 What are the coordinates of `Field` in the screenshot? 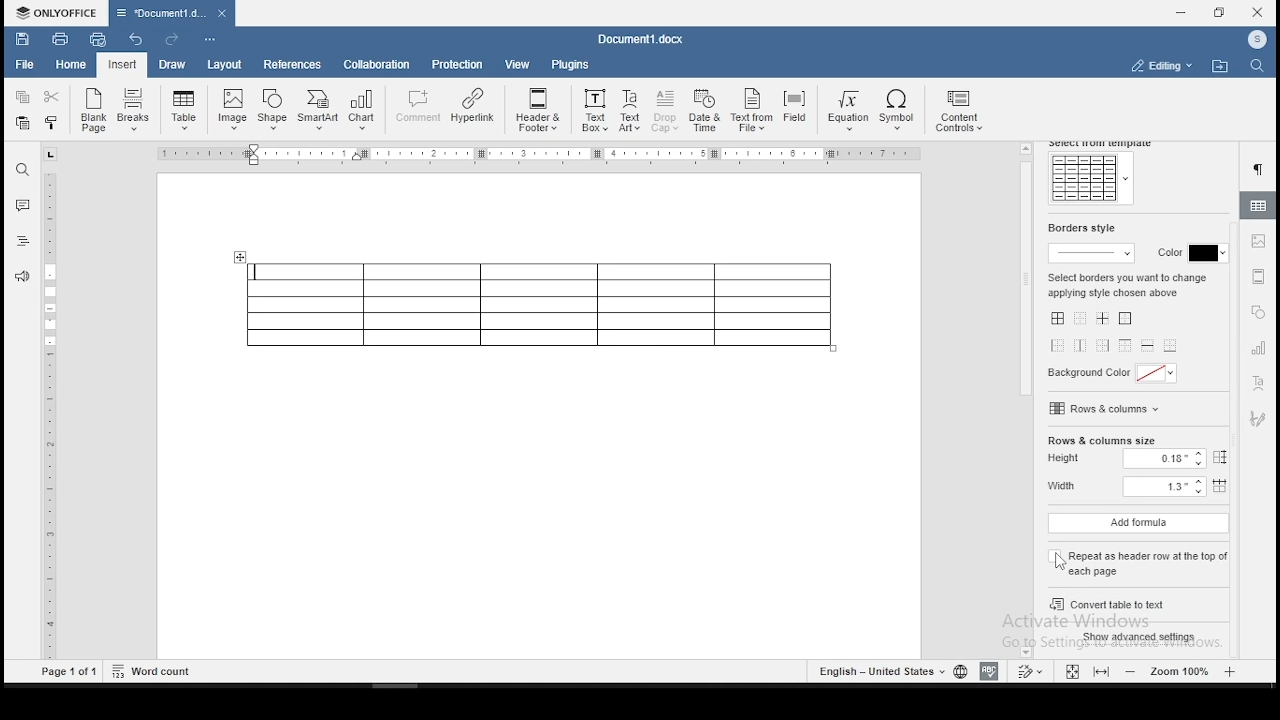 It's located at (794, 108).